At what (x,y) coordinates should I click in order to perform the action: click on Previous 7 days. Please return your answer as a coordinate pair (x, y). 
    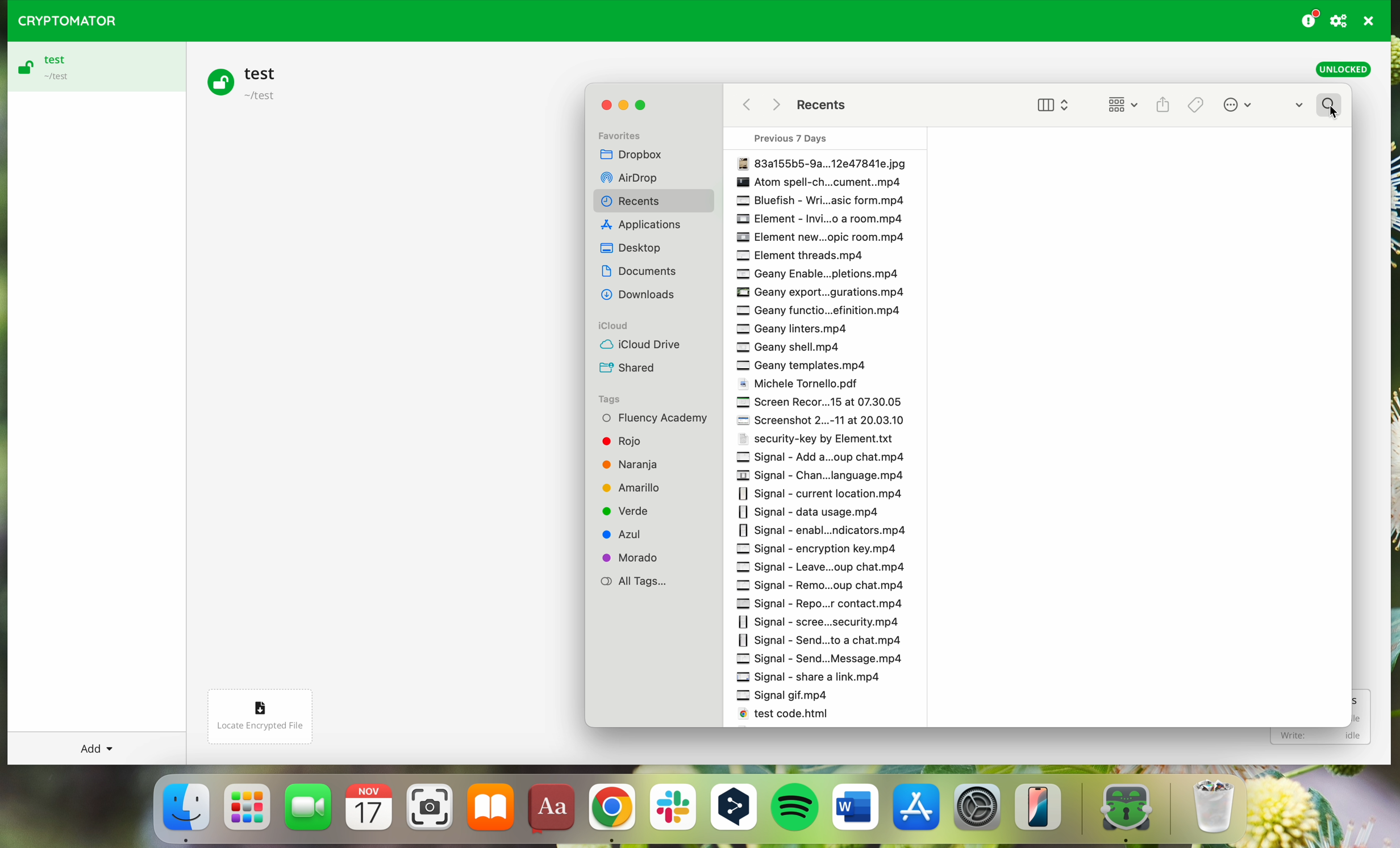
    Looking at the image, I should click on (797, 137).